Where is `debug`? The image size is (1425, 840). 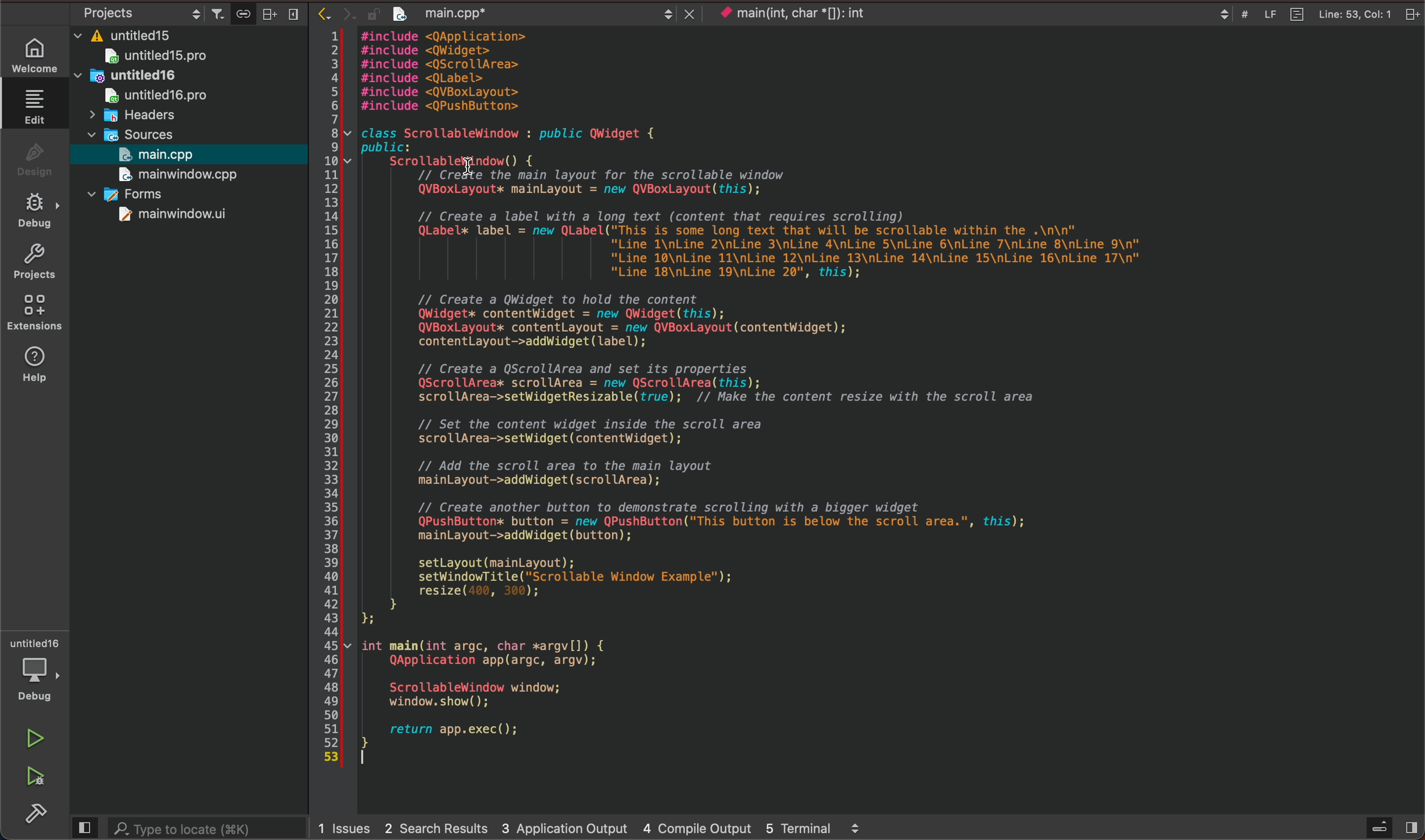 debug is located at coordinates (35, 212).